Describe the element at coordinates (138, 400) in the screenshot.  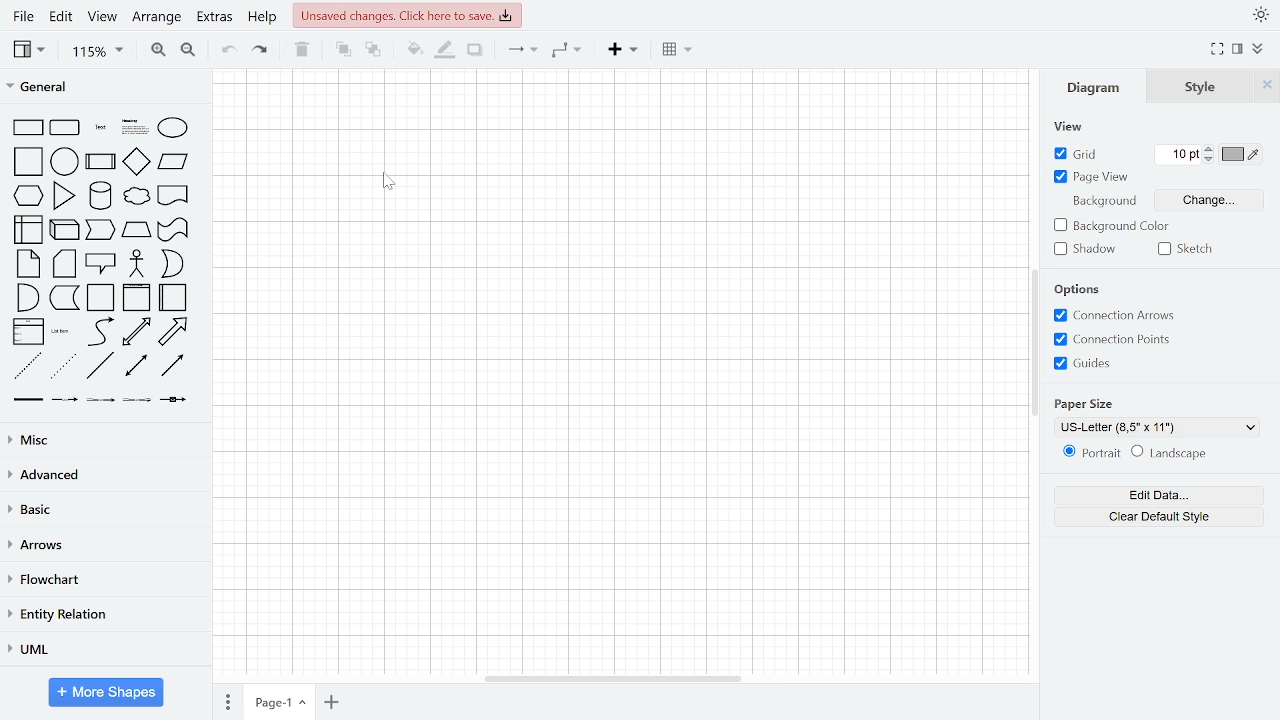
I see `connector with 3 labels` at that location.